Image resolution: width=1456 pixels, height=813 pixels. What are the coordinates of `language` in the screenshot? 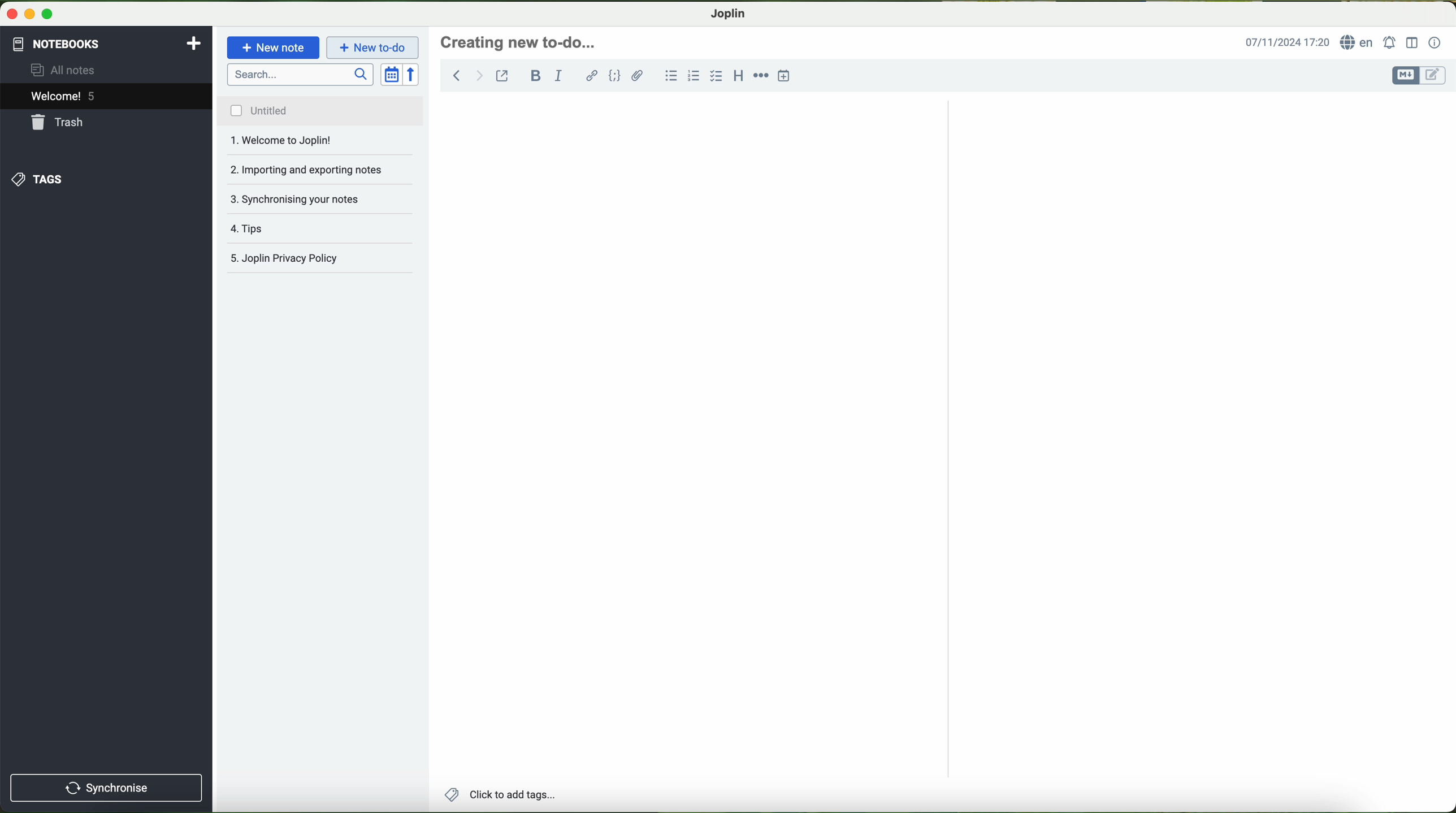 It's located at (1359, 43).